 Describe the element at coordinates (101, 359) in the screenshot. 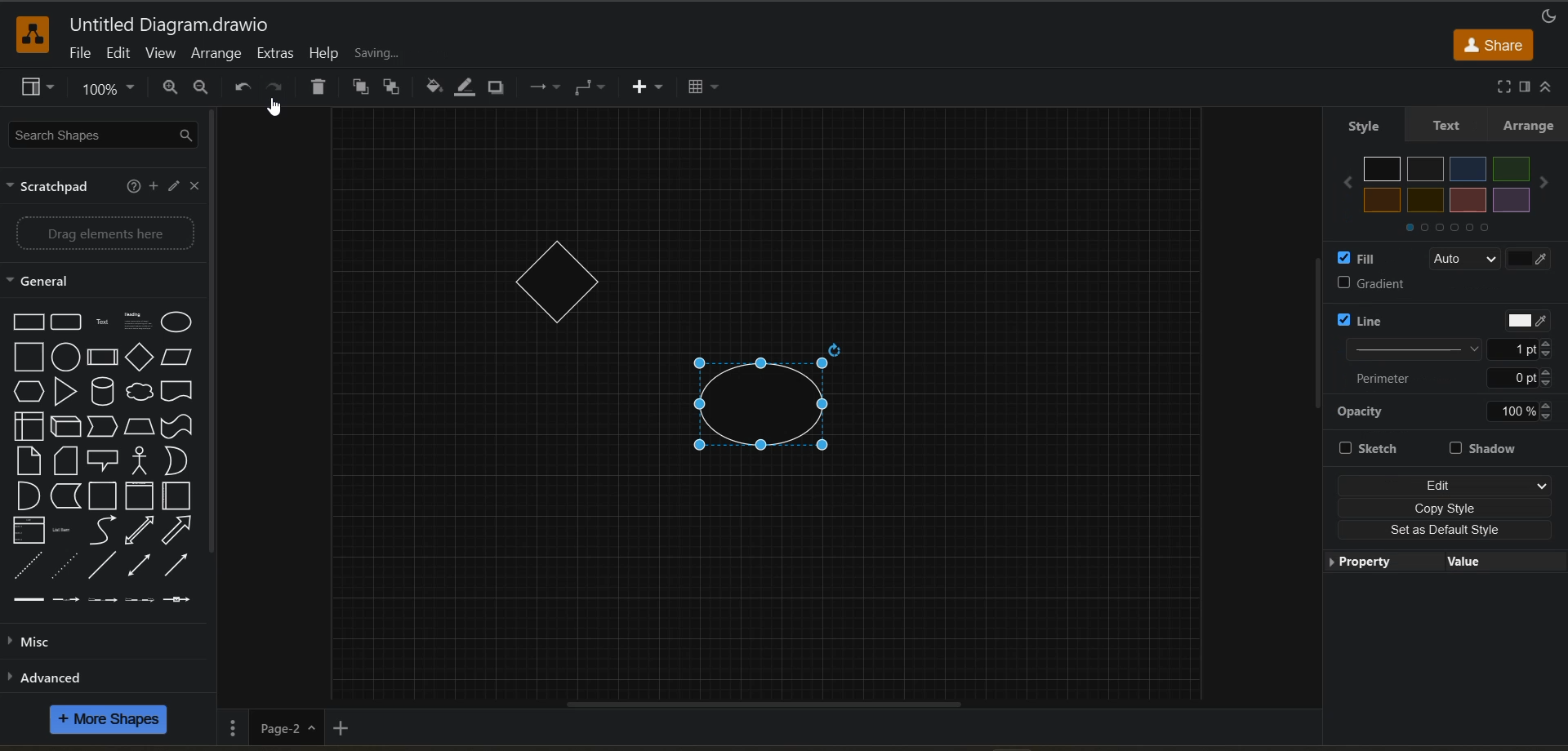

I see `process` at that location.